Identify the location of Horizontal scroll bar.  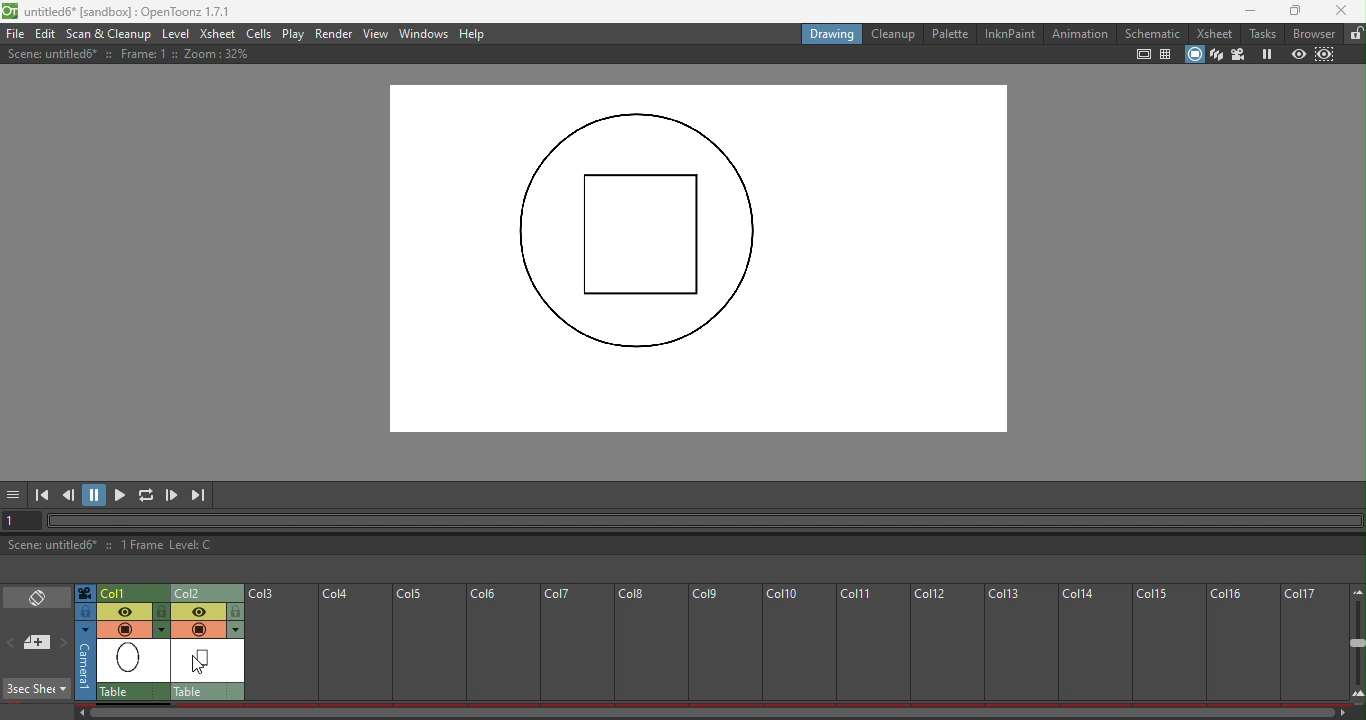
(706, 518).